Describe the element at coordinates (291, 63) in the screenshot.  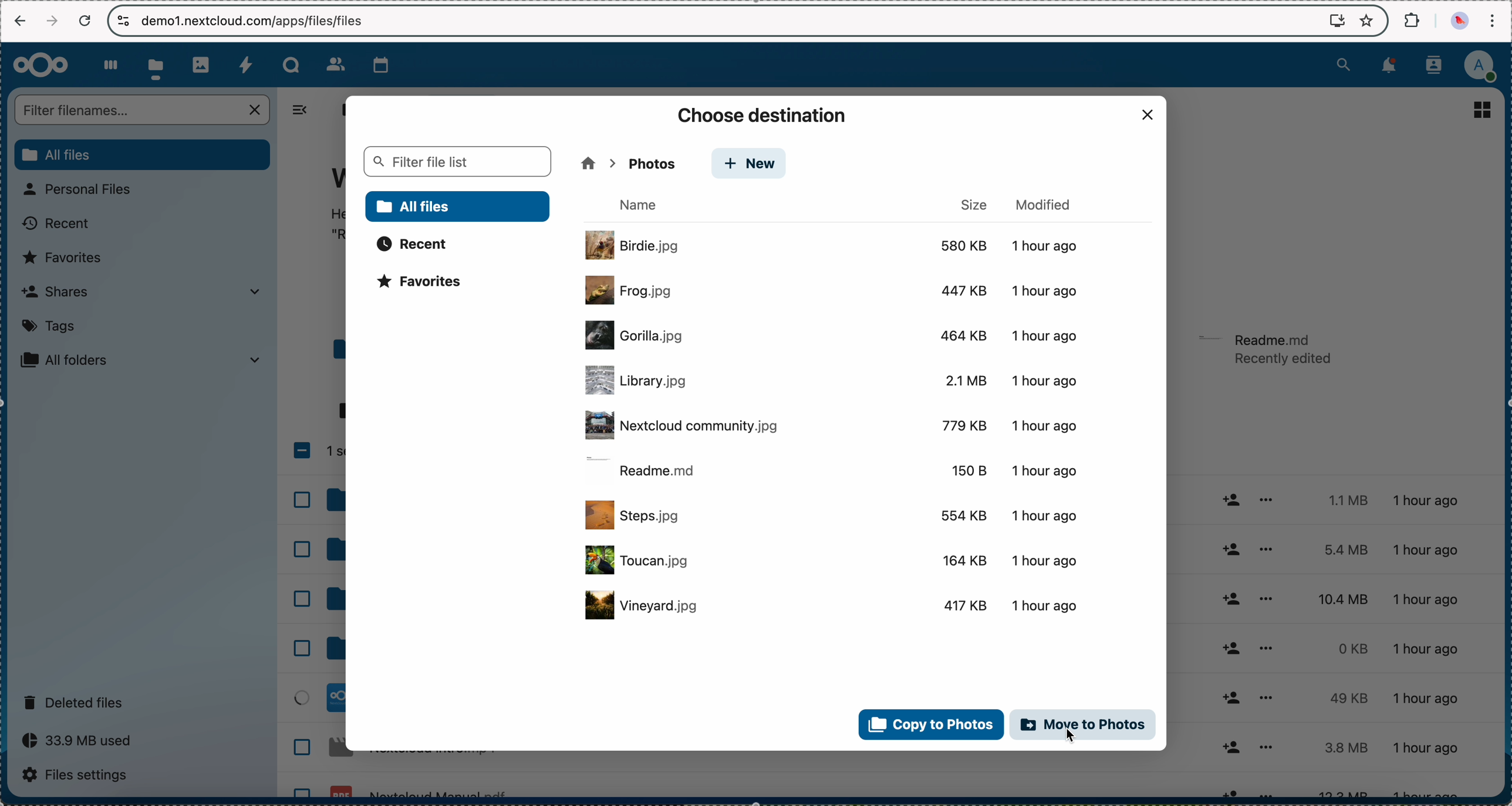
I see `Talk` at that location.